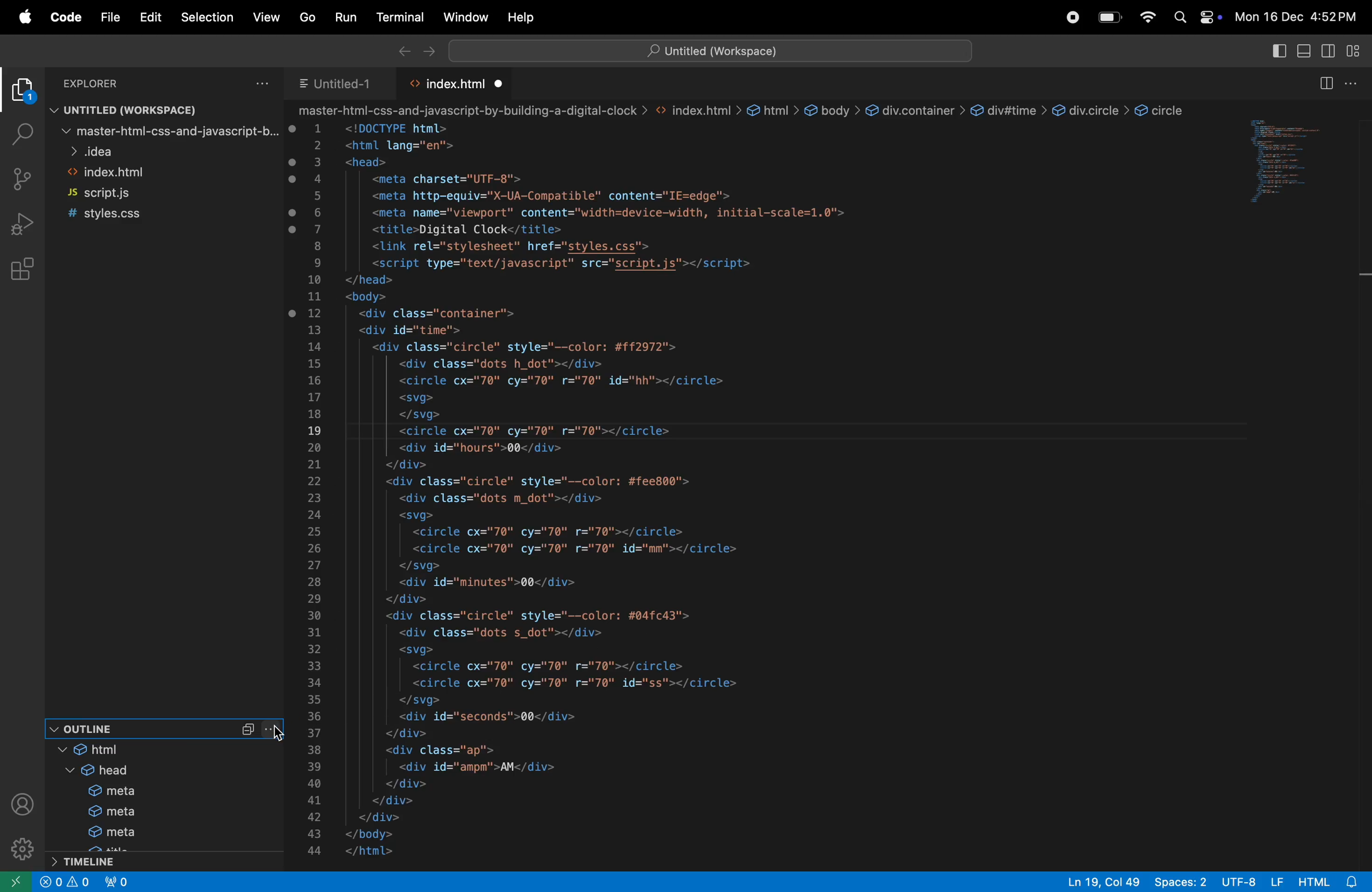 This screenshot has height=892, width=1372. What do you see at coordinates (1298, 168) in the screenshot?
I see ` Code window` at bounding box center [1298, 168].